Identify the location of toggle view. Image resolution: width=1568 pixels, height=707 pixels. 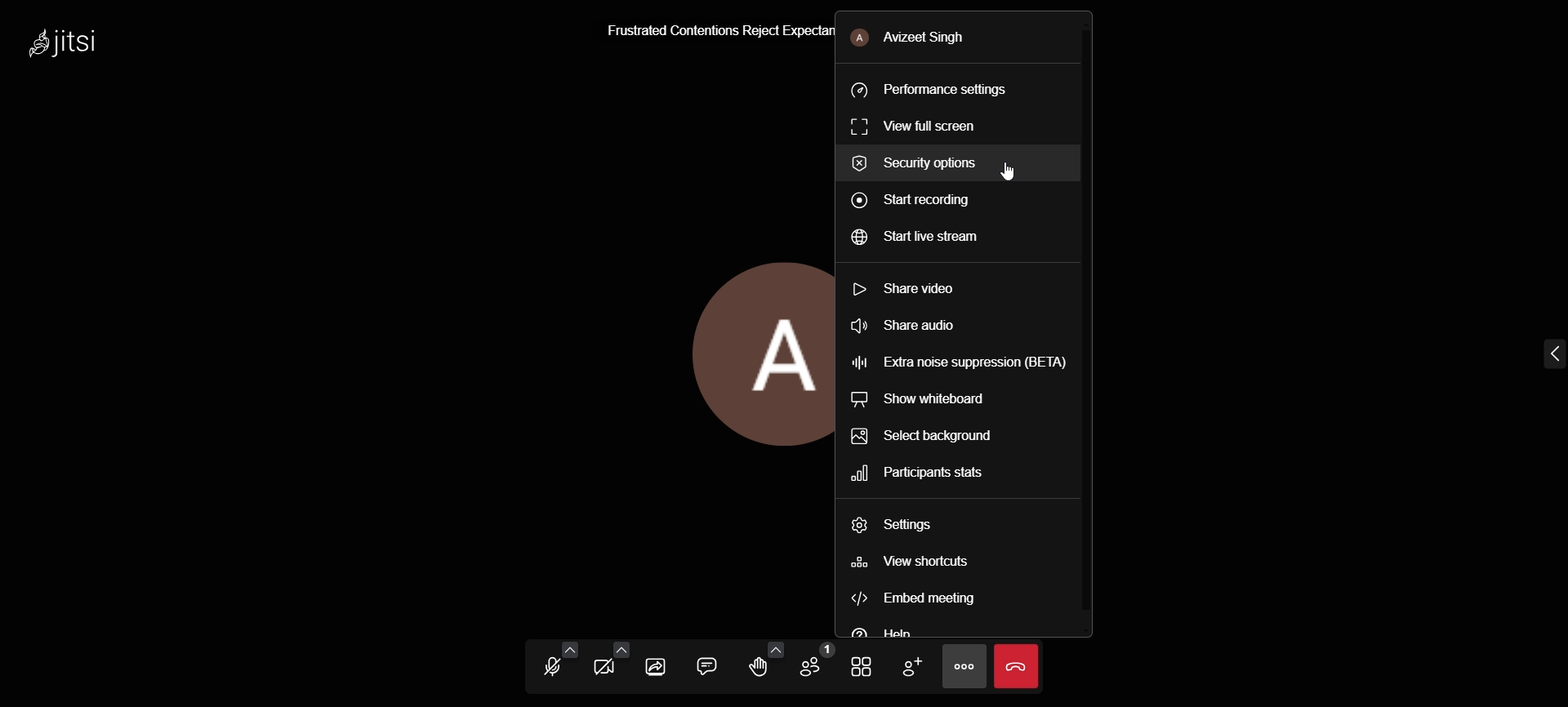
(861, 666).